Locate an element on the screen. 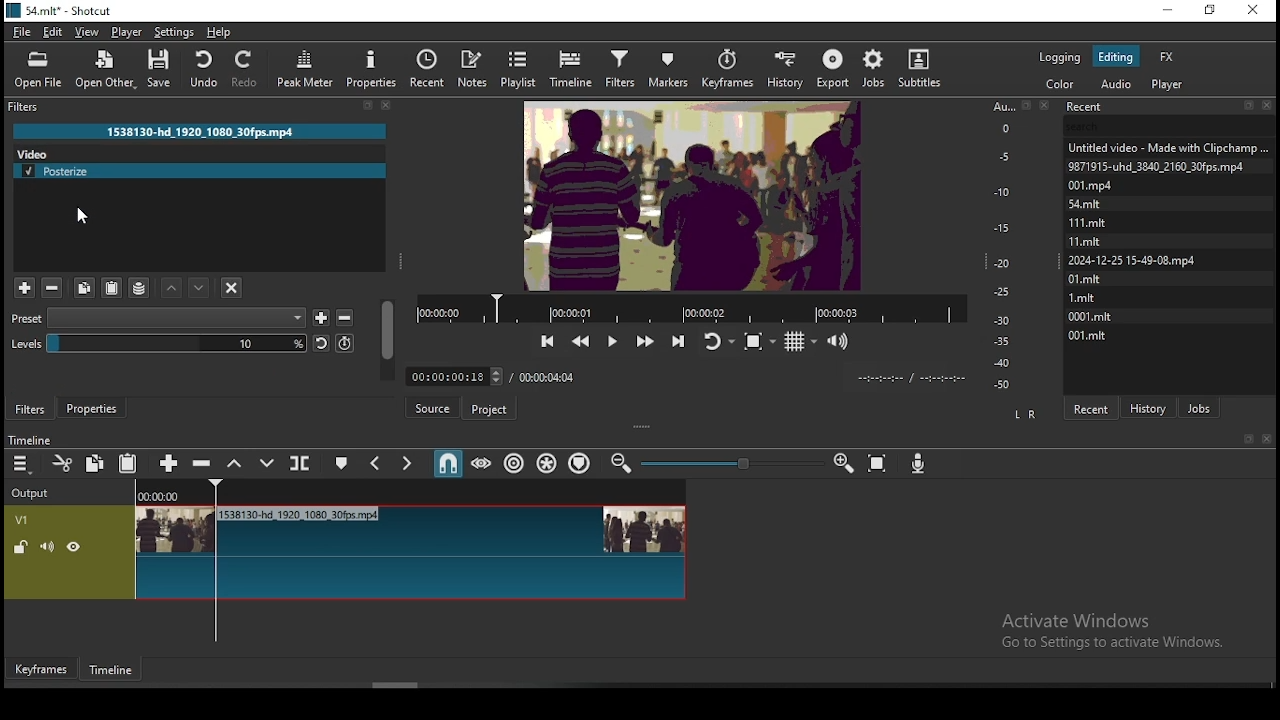  scale is located at coordinates (1005, 246).